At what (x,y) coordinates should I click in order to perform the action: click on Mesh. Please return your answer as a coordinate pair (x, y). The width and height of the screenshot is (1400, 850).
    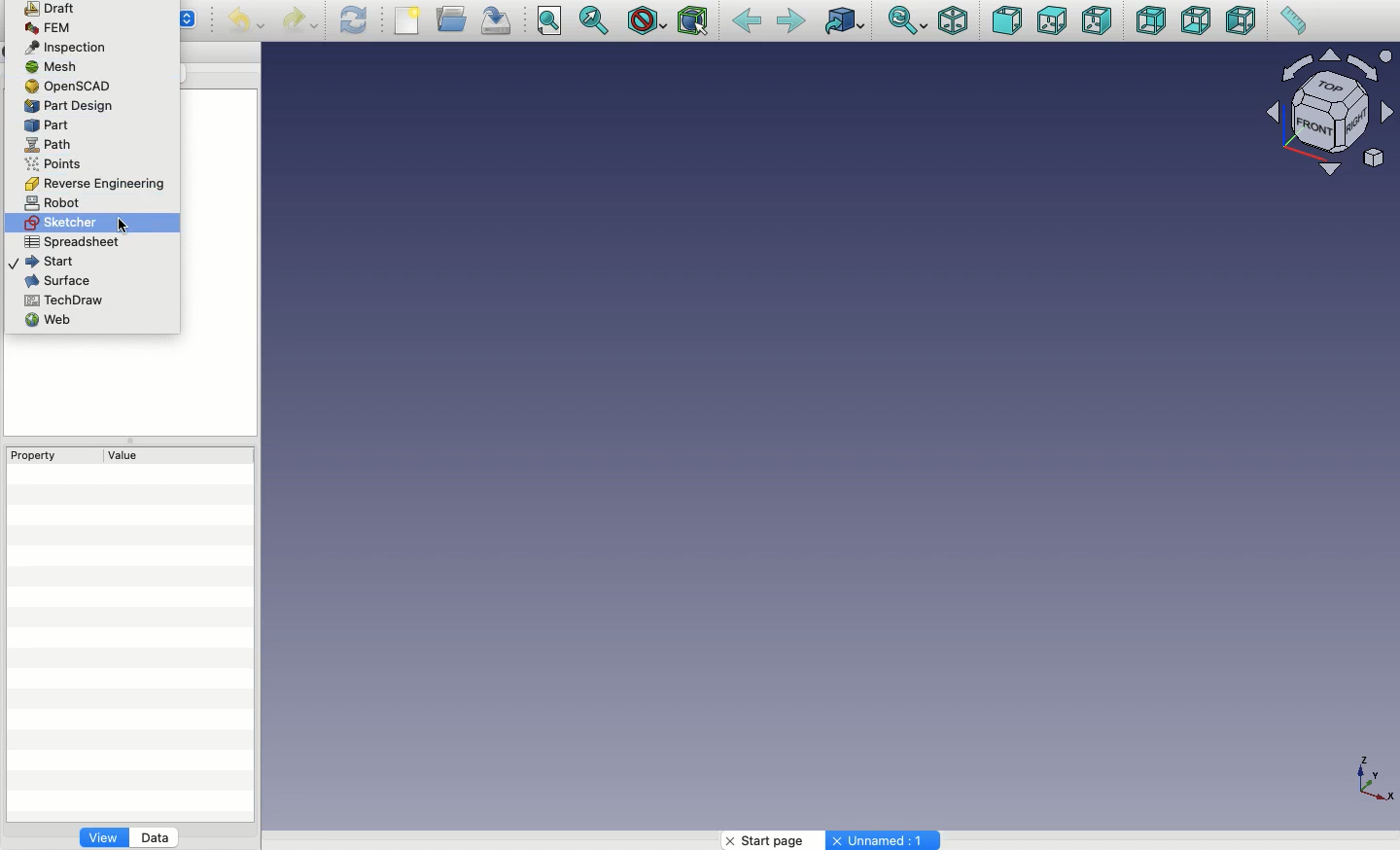
    Looking at the image, I should click on (56, 67).